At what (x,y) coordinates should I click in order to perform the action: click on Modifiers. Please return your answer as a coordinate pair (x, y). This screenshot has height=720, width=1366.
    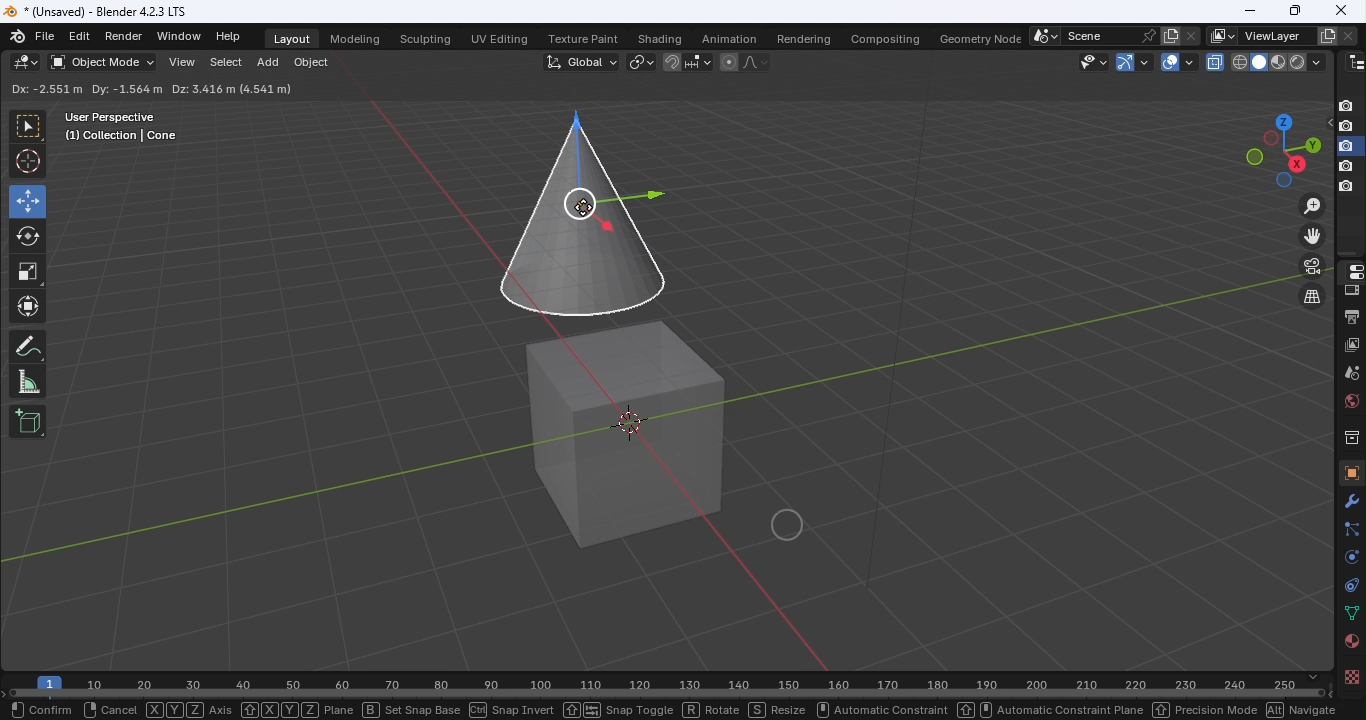
    Looking at the image, I should click on (1352, 500).